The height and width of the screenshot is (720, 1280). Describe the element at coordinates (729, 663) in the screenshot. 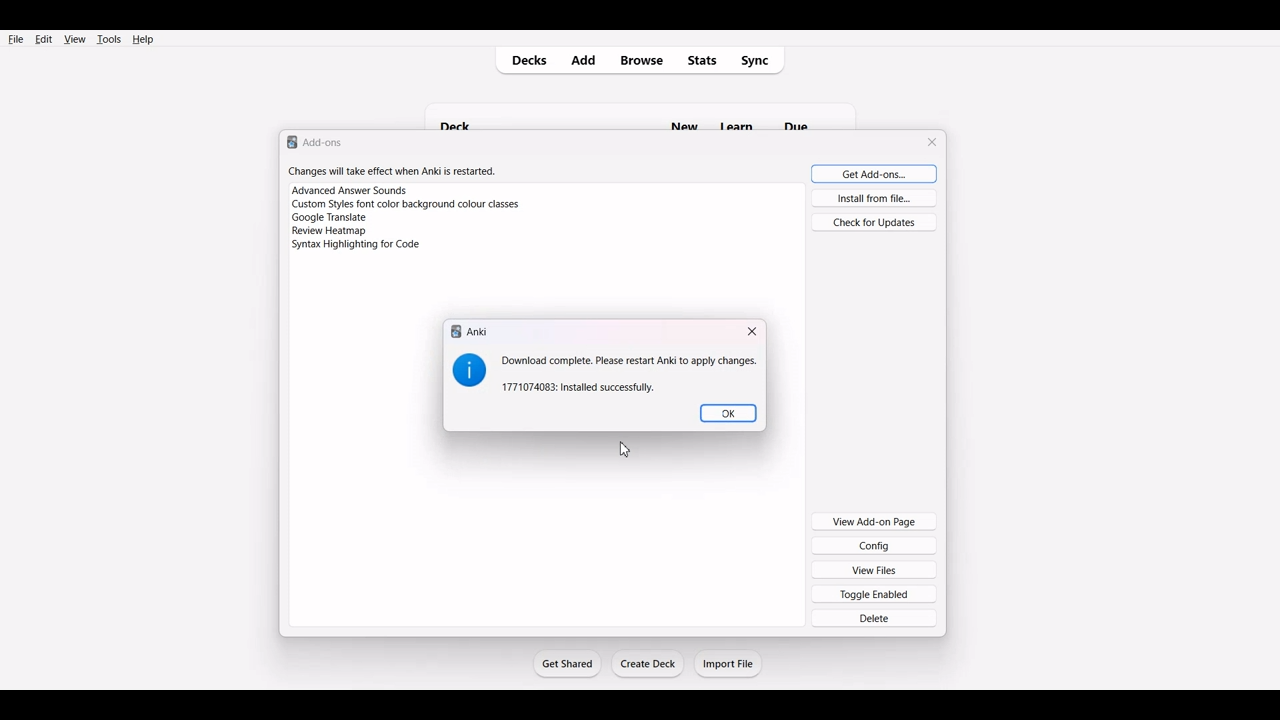

I see `Import File` at that location.